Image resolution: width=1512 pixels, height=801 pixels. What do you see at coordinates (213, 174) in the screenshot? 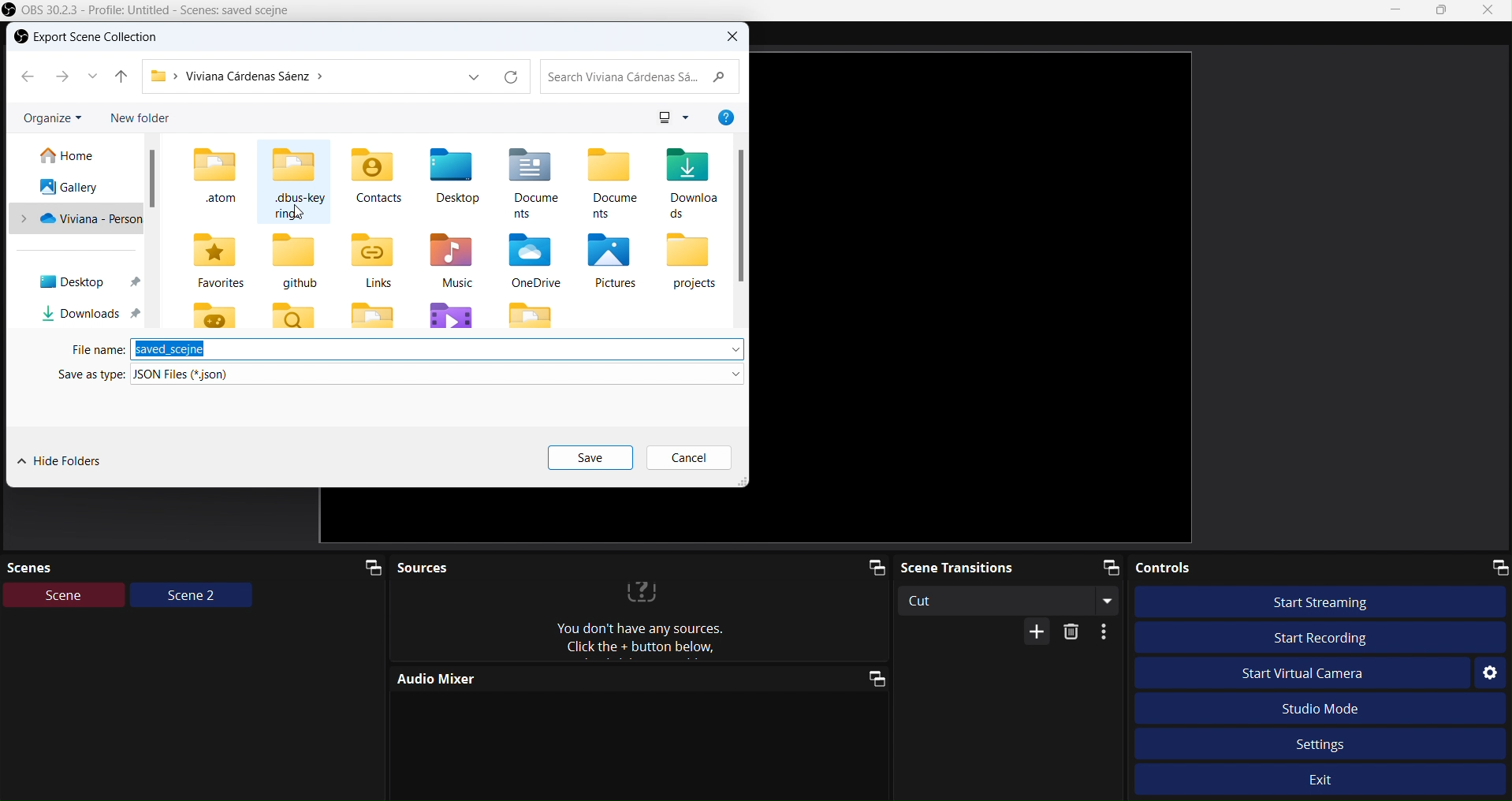
I see `atom` at bounding box center [213, 174].